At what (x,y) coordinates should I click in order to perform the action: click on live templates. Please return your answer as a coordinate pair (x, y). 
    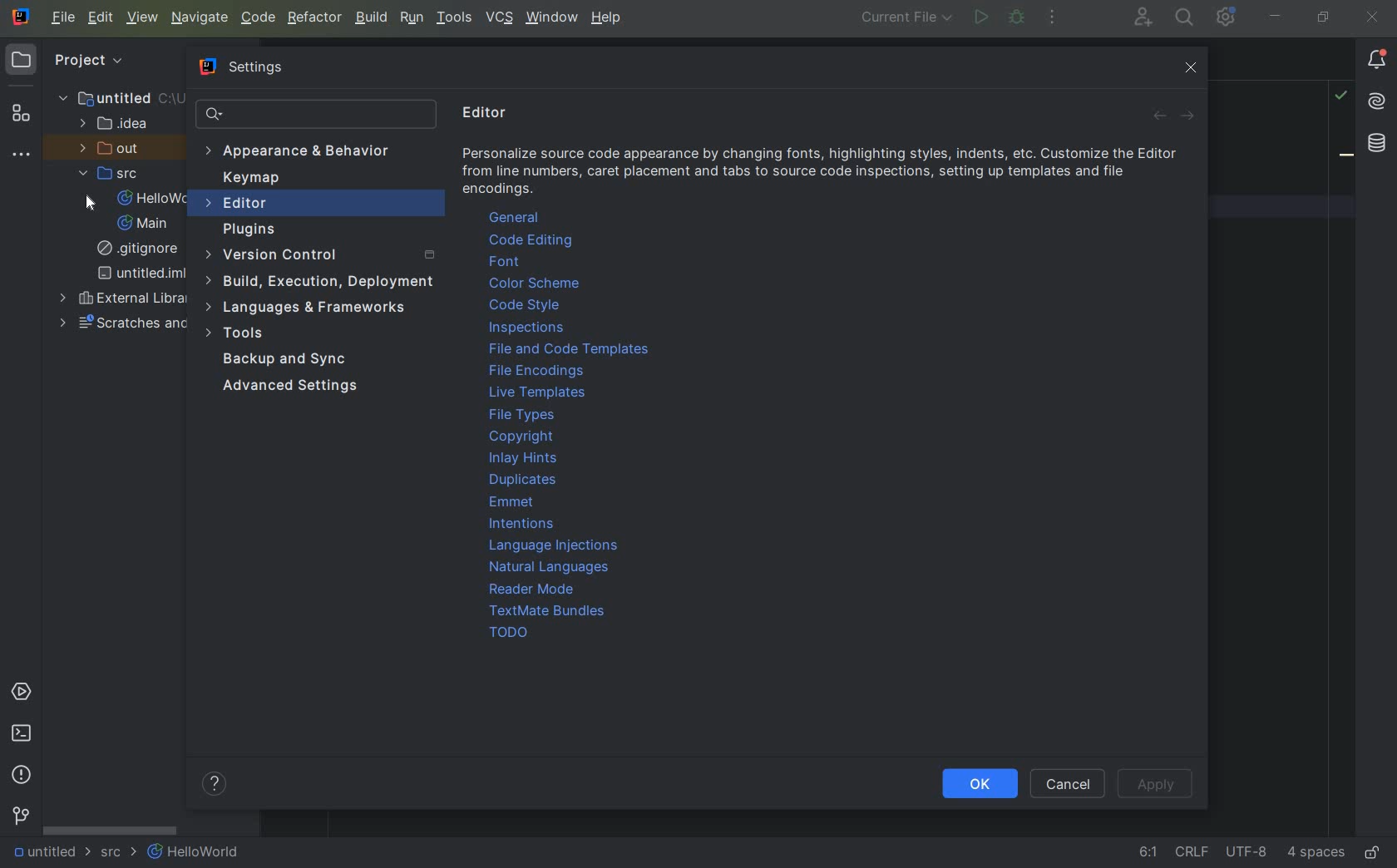
    Looking at the image, I should click on (538, 392).